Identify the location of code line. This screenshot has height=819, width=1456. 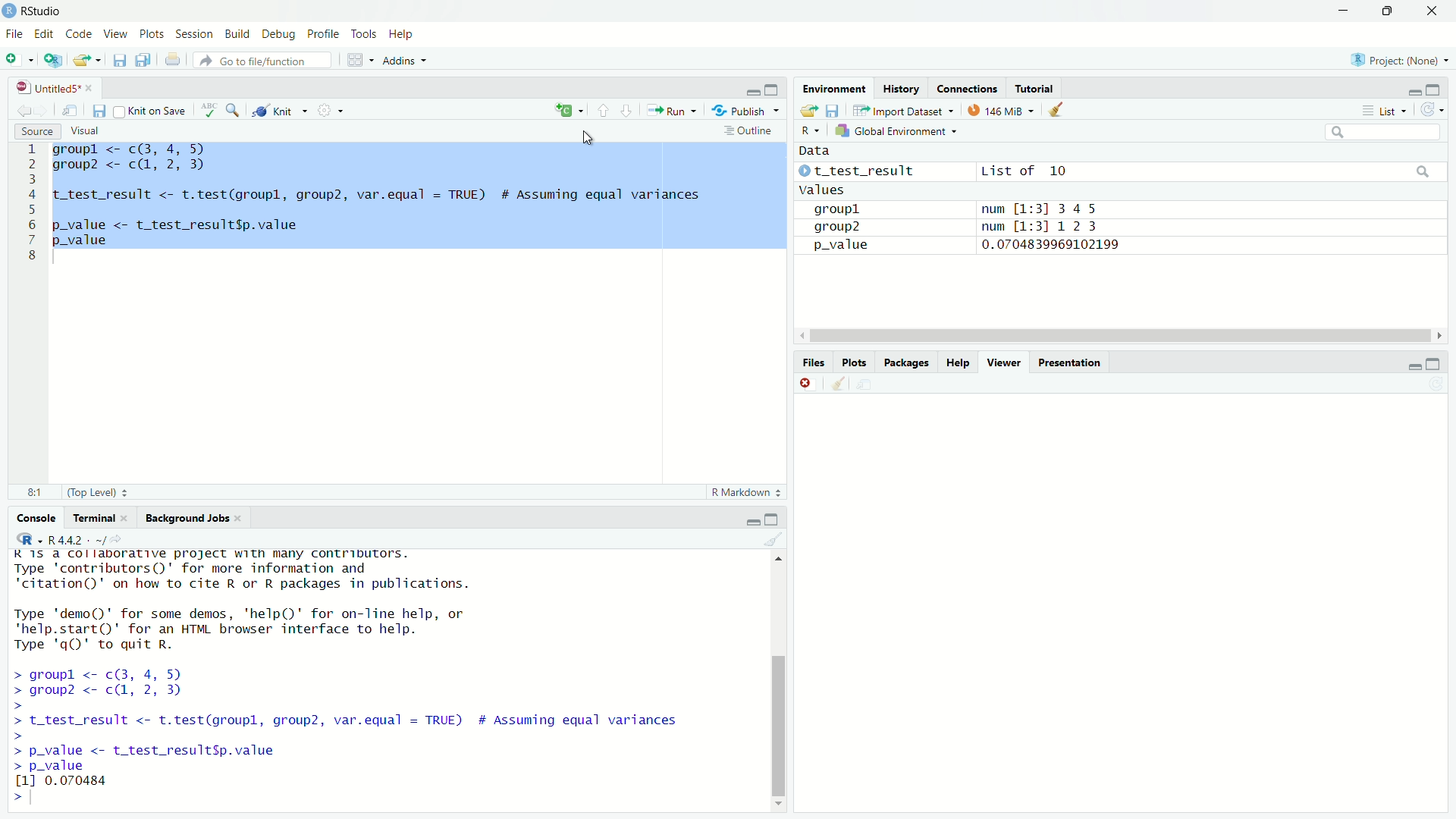
(31, 202).